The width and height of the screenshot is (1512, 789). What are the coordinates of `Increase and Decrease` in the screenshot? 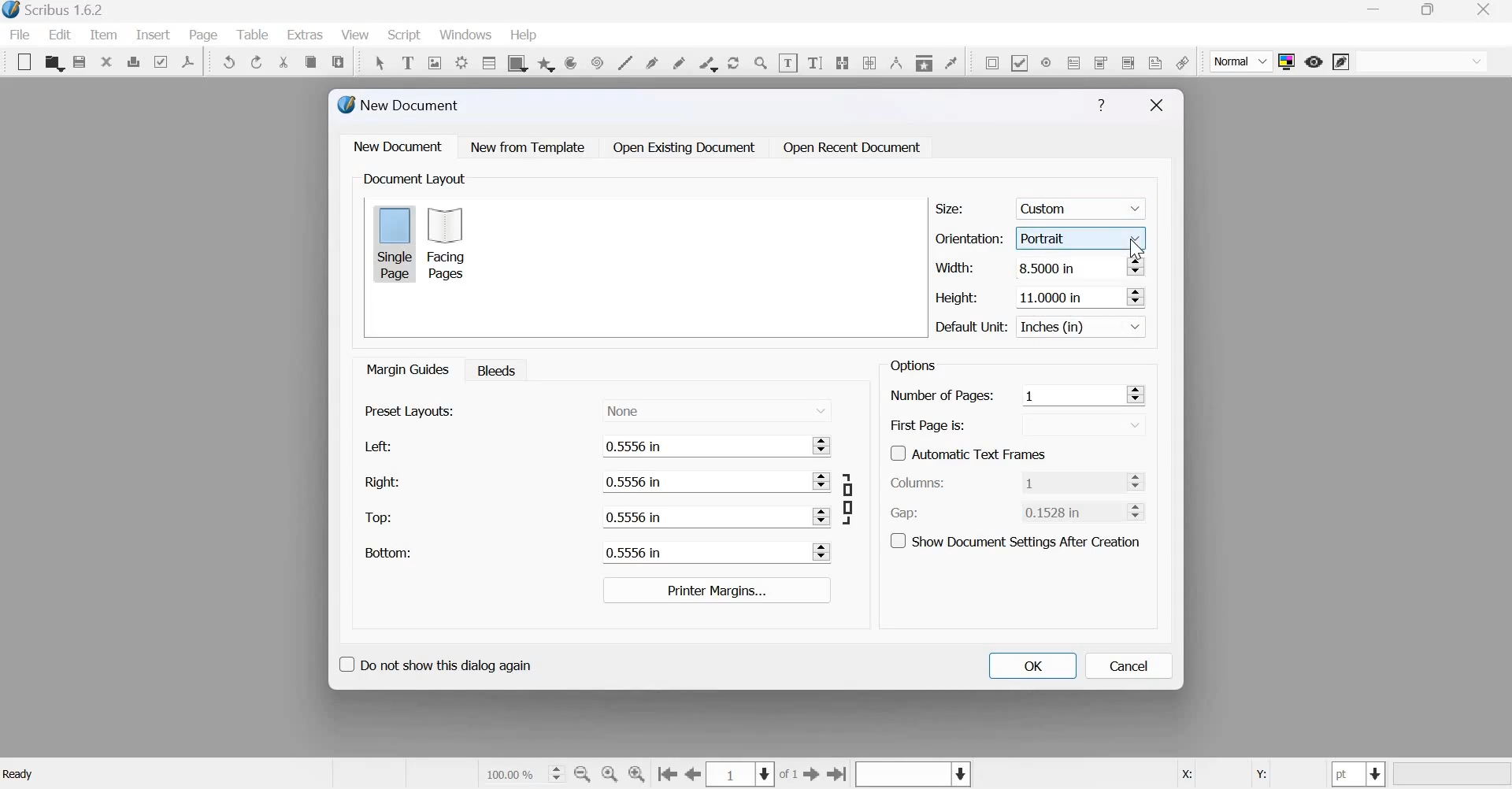 It's located at (821, 445).